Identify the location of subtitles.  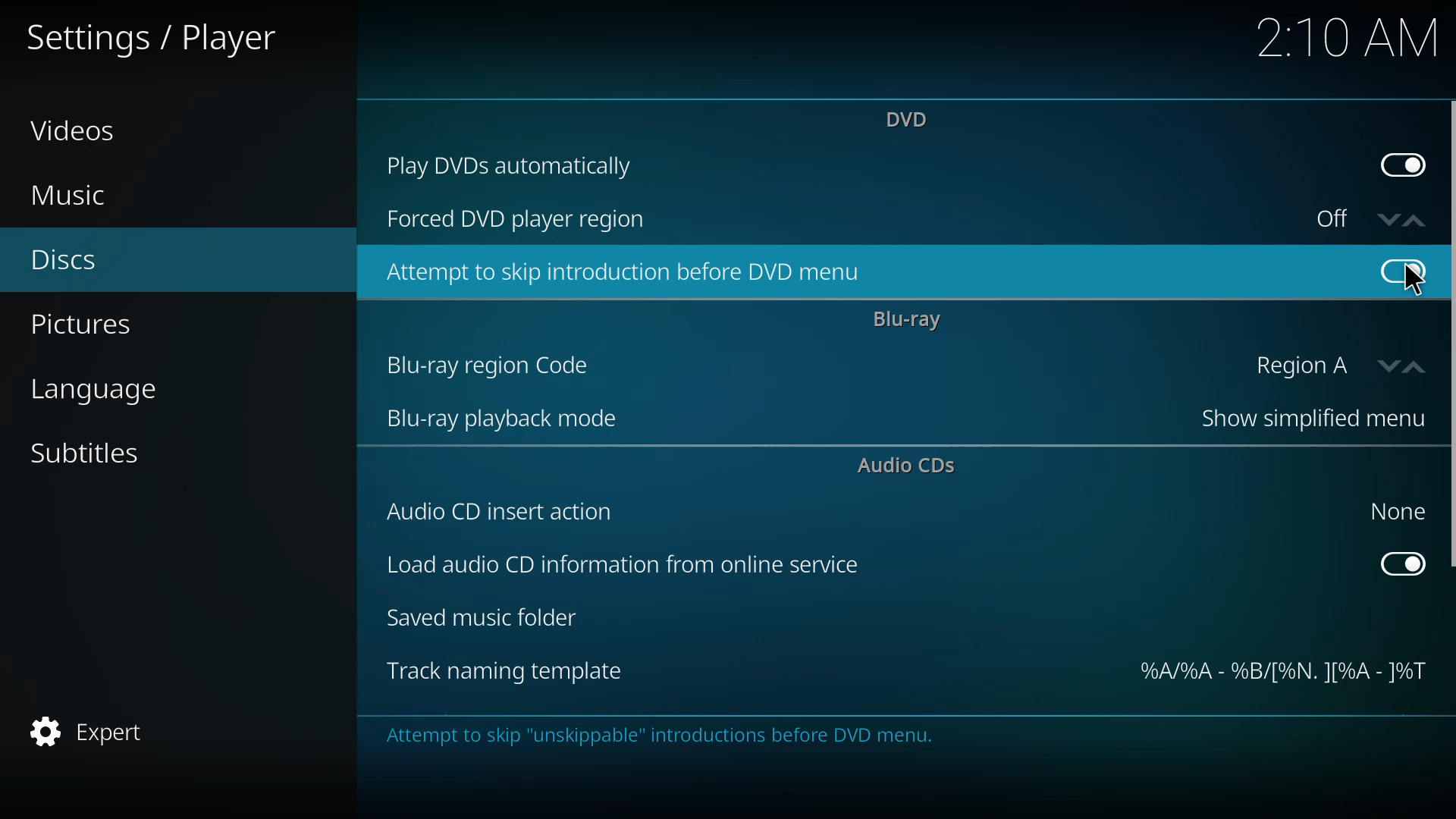
(89, 457).